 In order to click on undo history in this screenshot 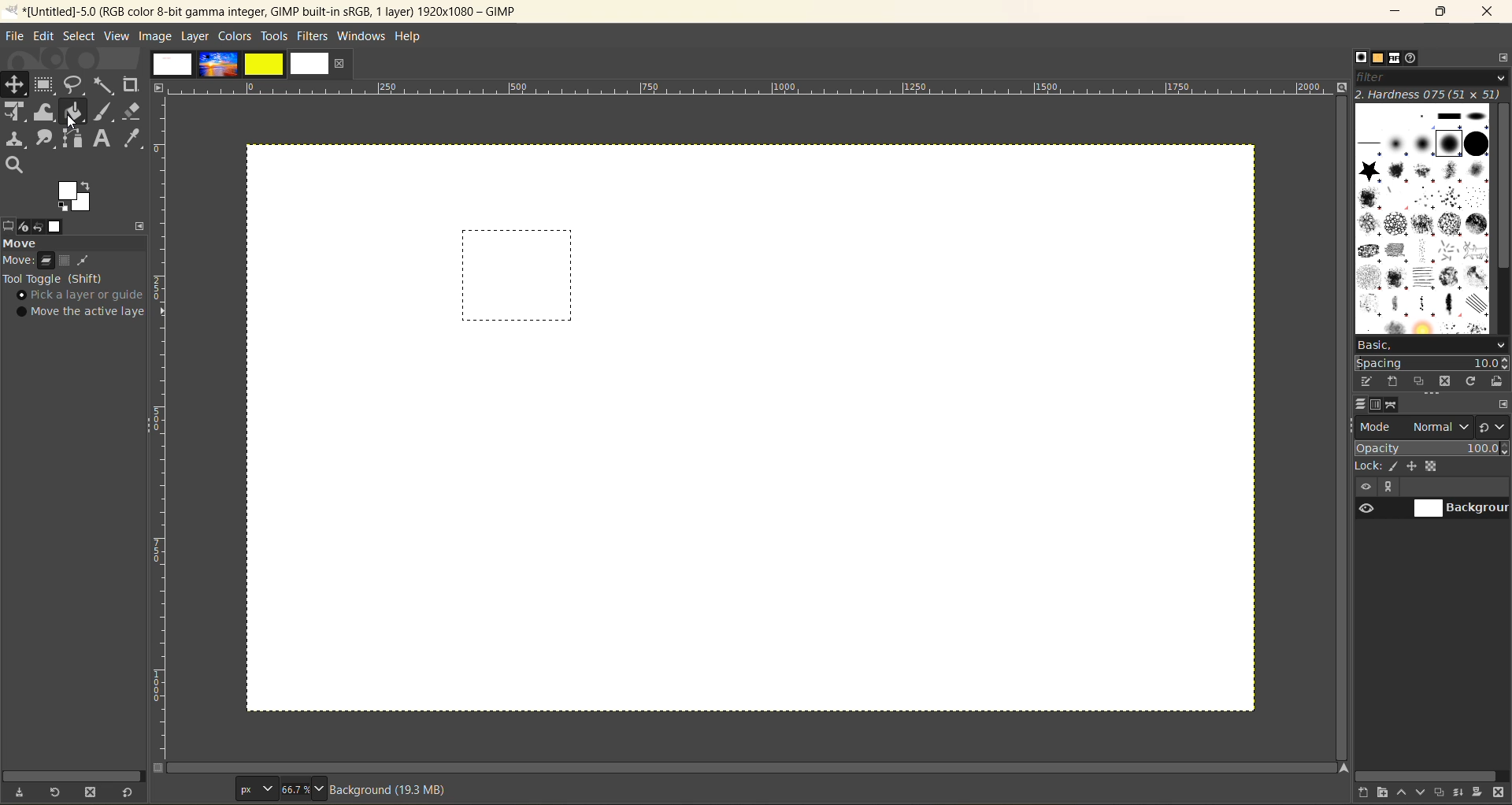, I will do `click(34, 226)`.